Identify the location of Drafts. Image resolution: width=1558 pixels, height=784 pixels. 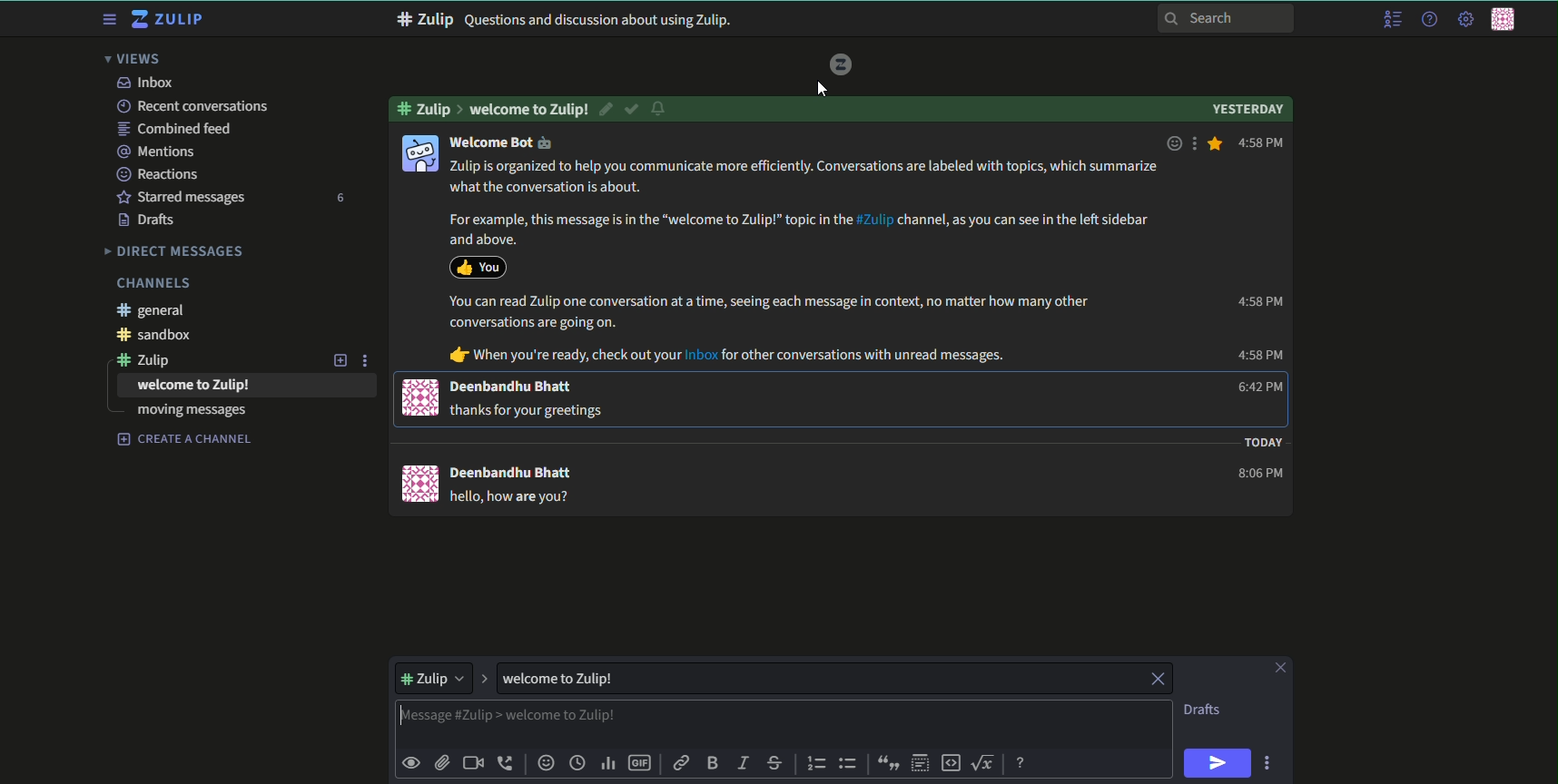
(149, 220).